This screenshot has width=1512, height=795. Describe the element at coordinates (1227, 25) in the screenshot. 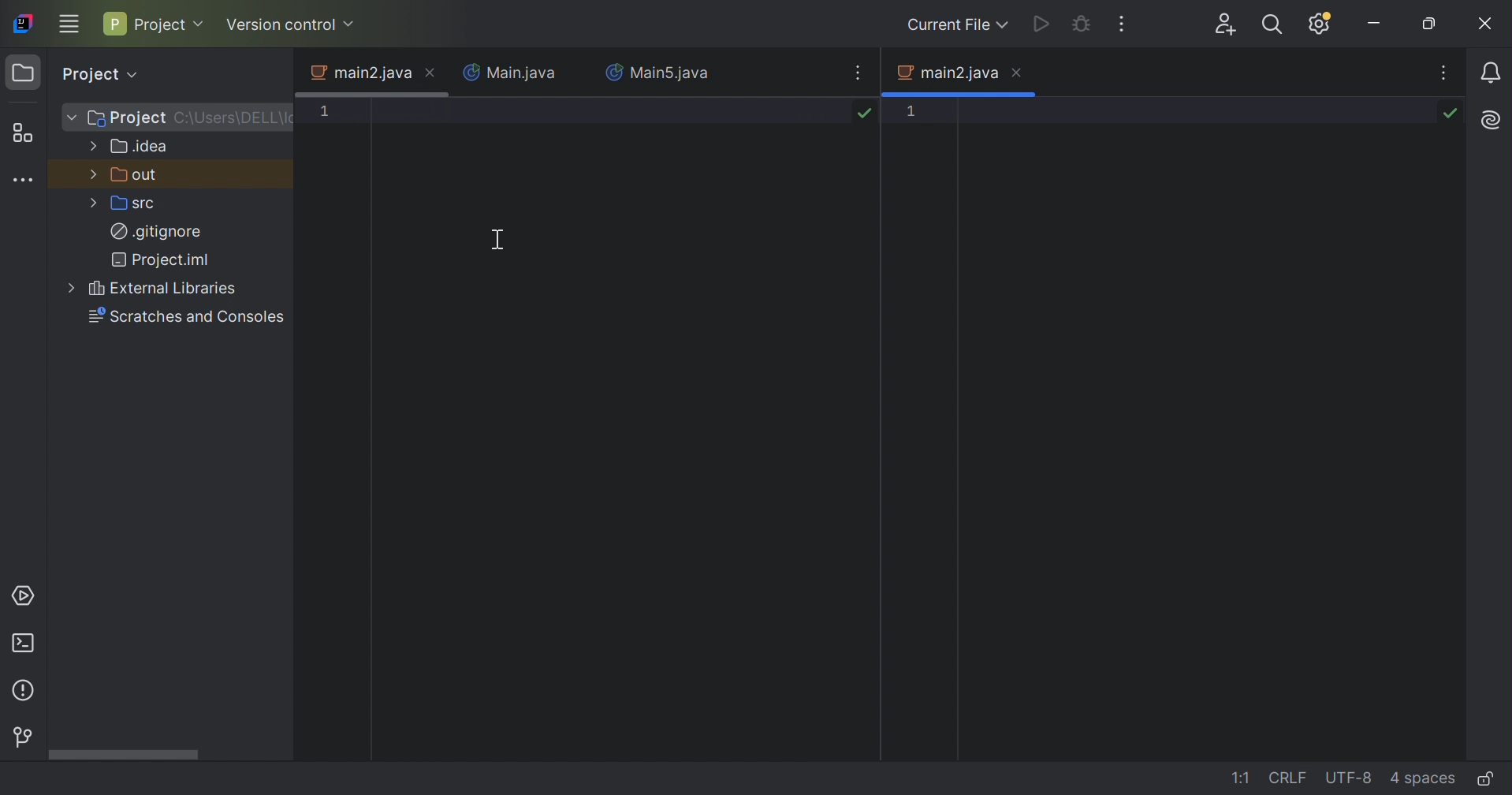

I see `Code with me` at that location.